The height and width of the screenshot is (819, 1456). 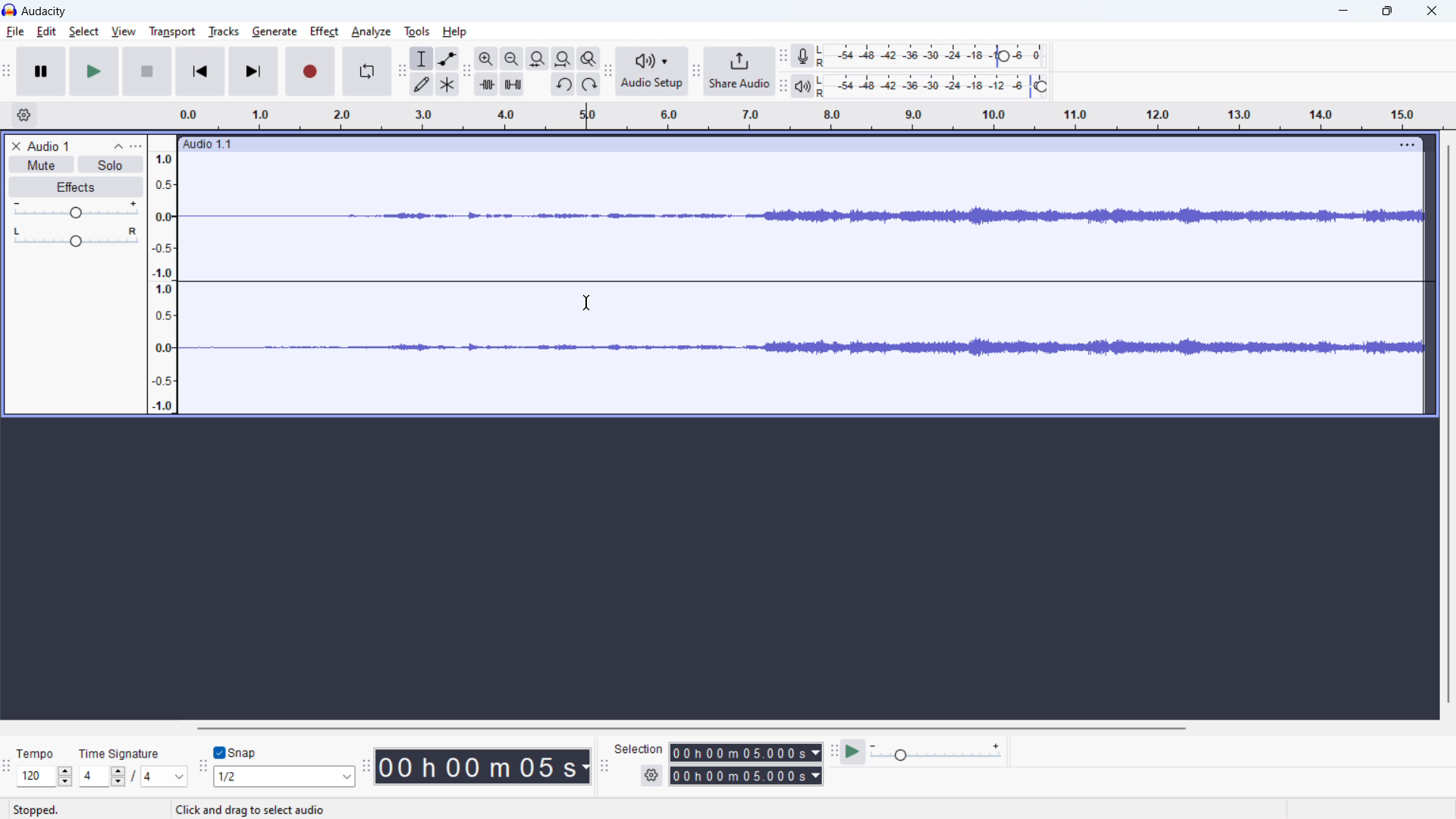 What do you see at coordinates (1445, 424) in the screenshot?
I see `vertical scrollbar` at bounding box center [1445, 424].